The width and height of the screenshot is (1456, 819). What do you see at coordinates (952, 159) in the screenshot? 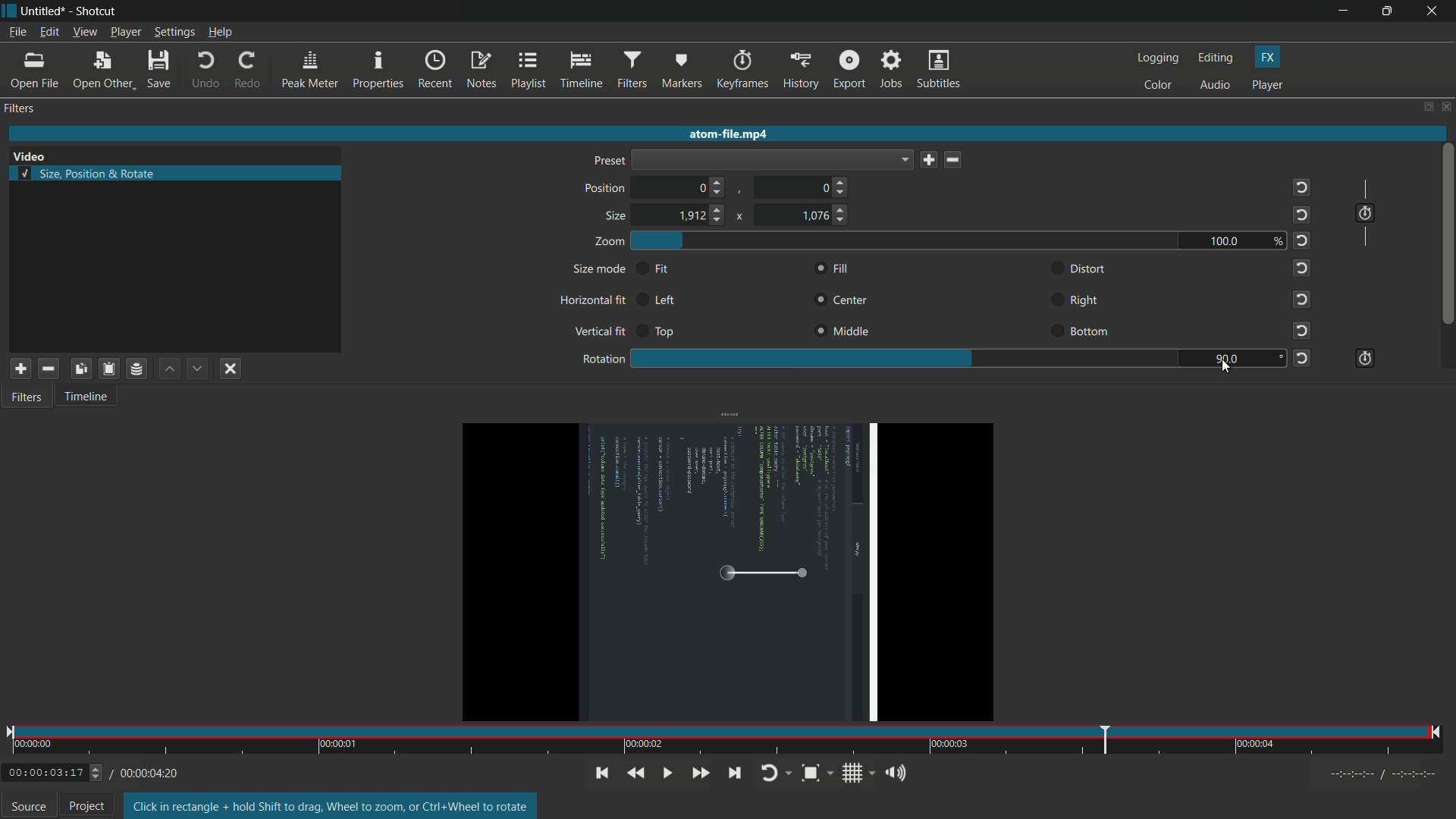
I see `delete` at bounding box center [952, 159].